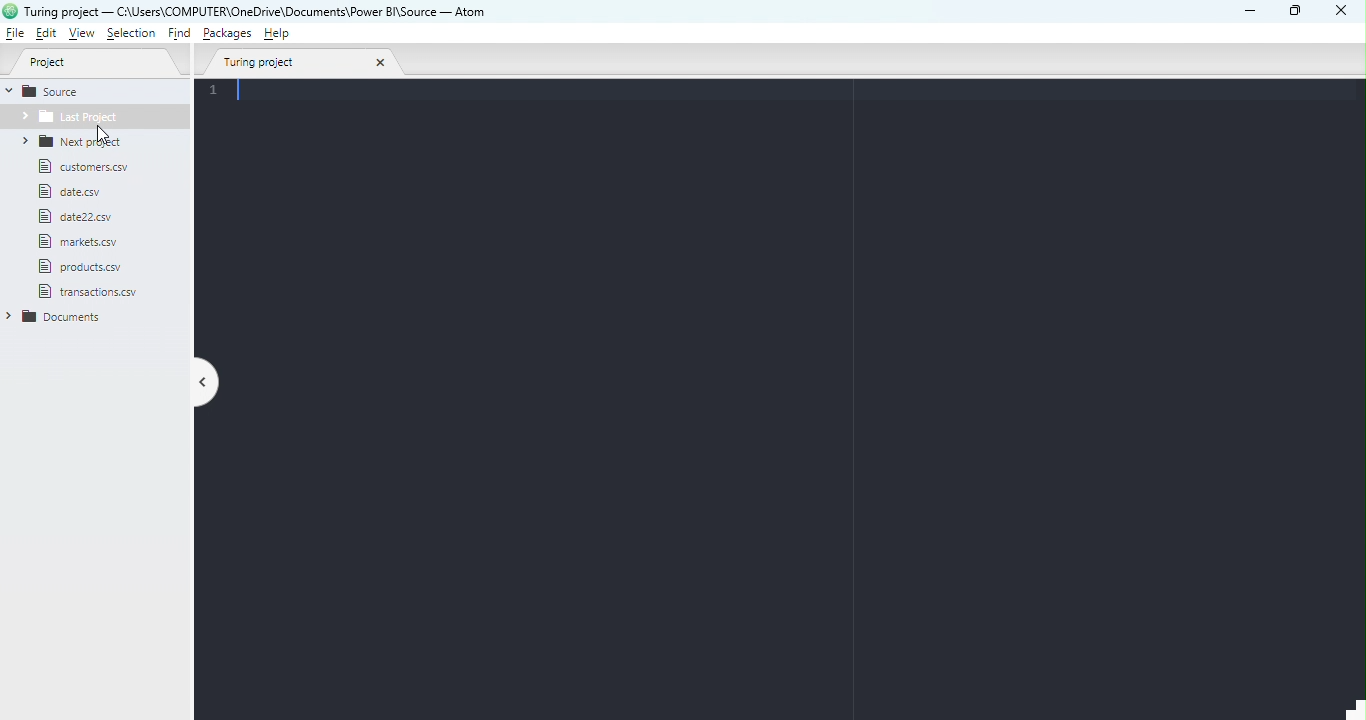 This screenshot has height=720, width=1366. What do you see at coordinates (87, 266) in the screenshot?
I see `file` at bounding box center [87, 266].